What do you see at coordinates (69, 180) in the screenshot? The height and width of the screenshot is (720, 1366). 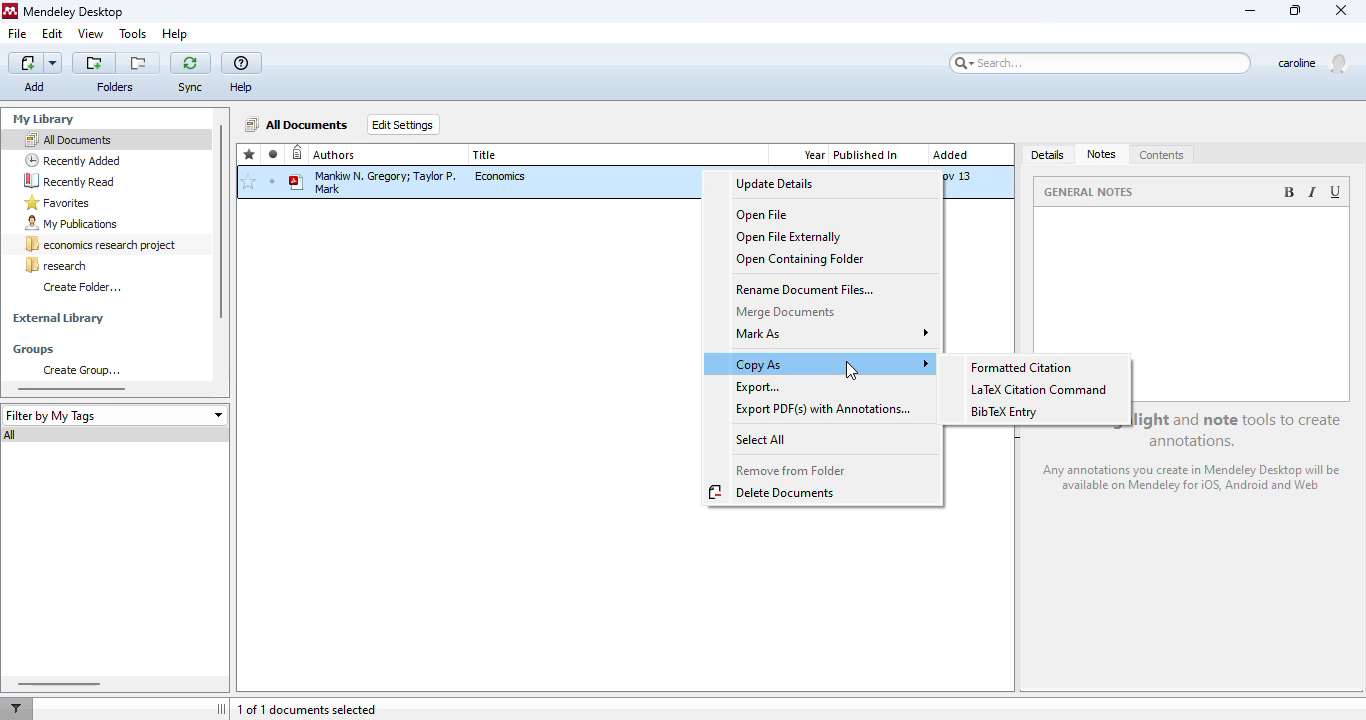 I see `recently read` at bounding box center [69, 180].